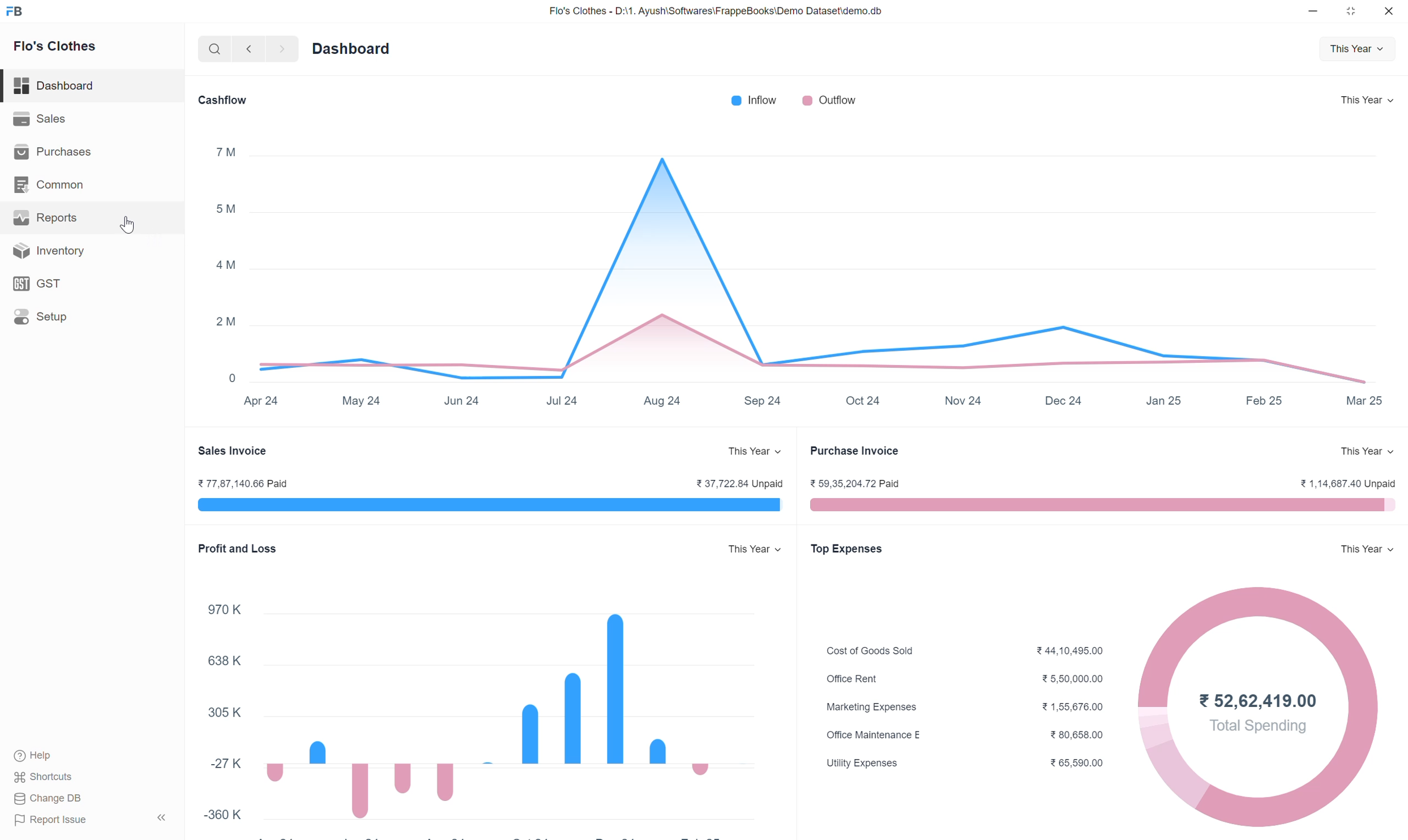 The width and height of the screenshot is (1408, 840). Describe the element at coordinates (1350, 11) in the screenshot. I see `maximize` at that location.